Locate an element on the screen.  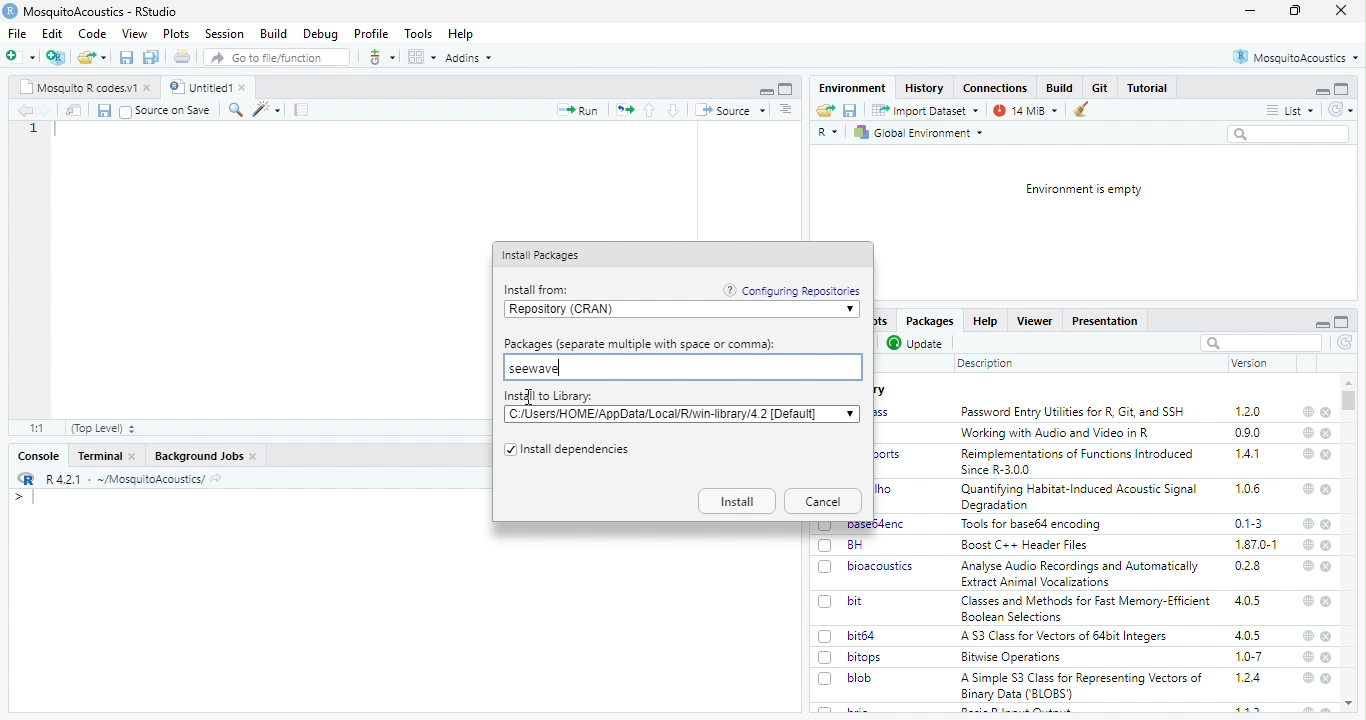
Import Dataset is located at coordinates (927, 111).